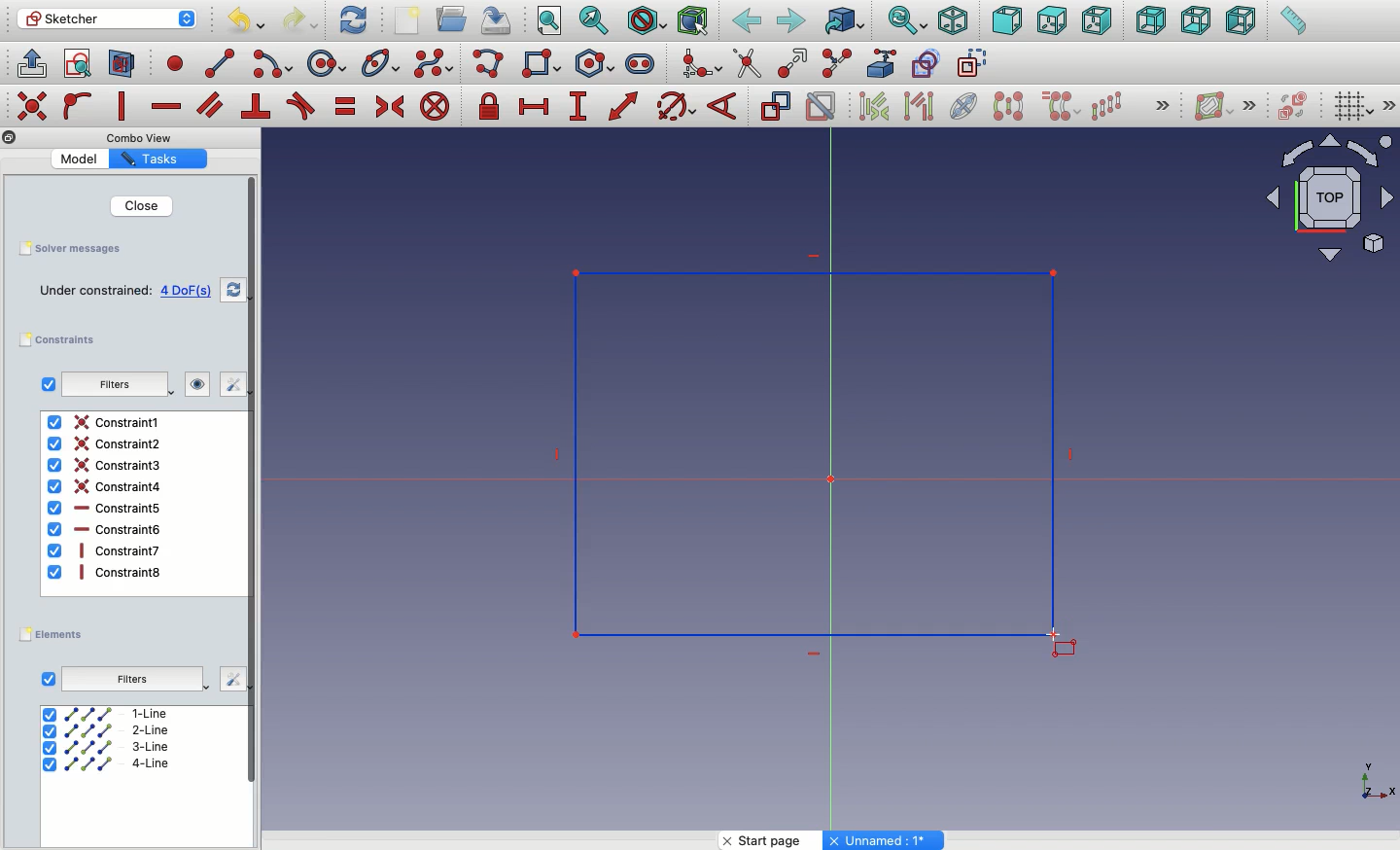 This screenshot has height=850, width=1400. I want to click on Rectangle, so click(863, 434).